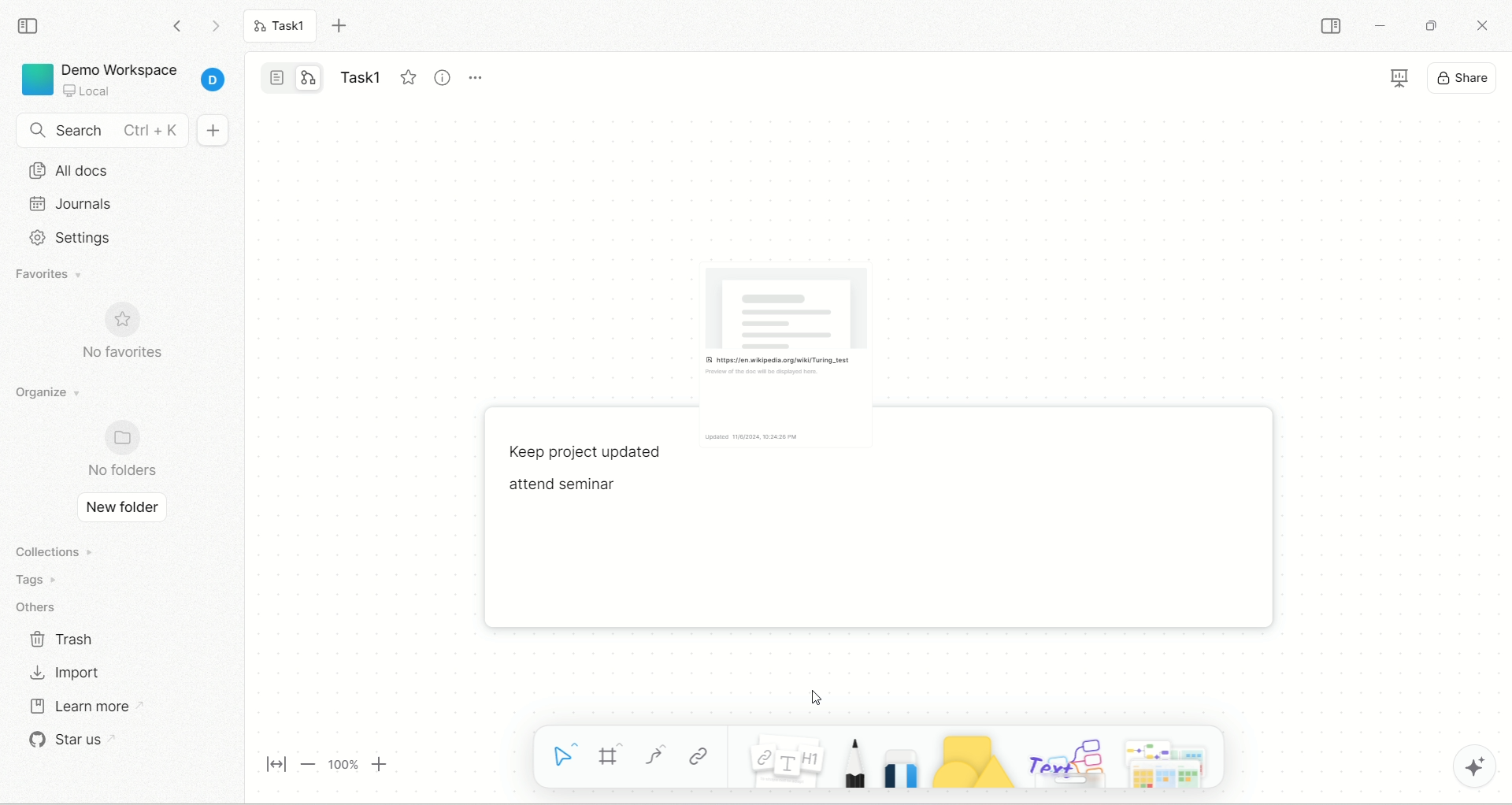 The width and height of the screenshot is (1512, 805). I want to click on collapse sidebar, so click(1329, 26).